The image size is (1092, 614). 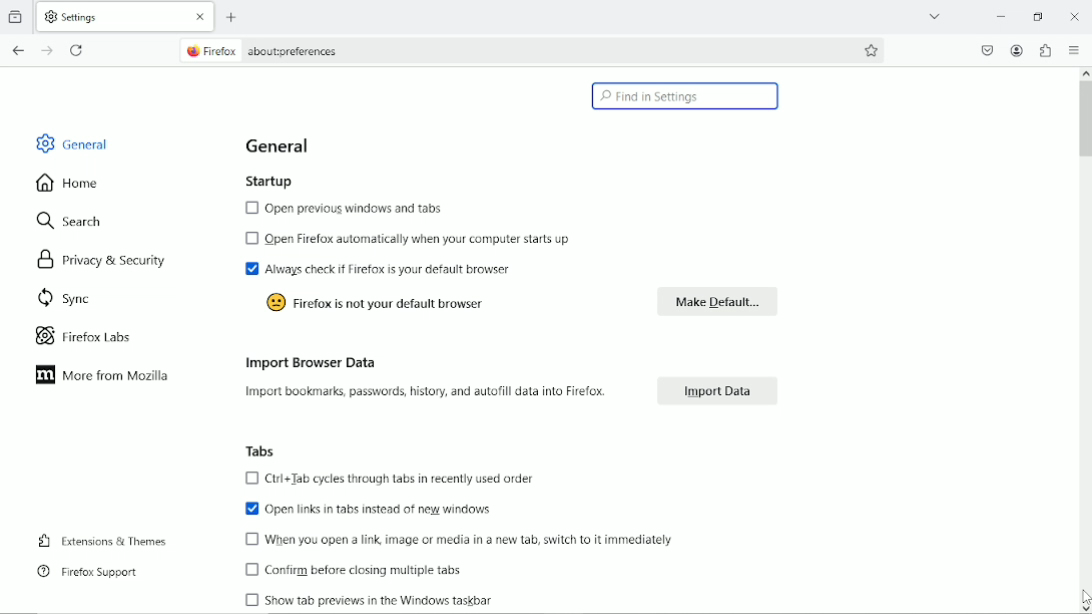 What do you see at coordinates (278, 50) in the screenshot?
I see `Firefox about:preferences` at bounding box center [278, 50].